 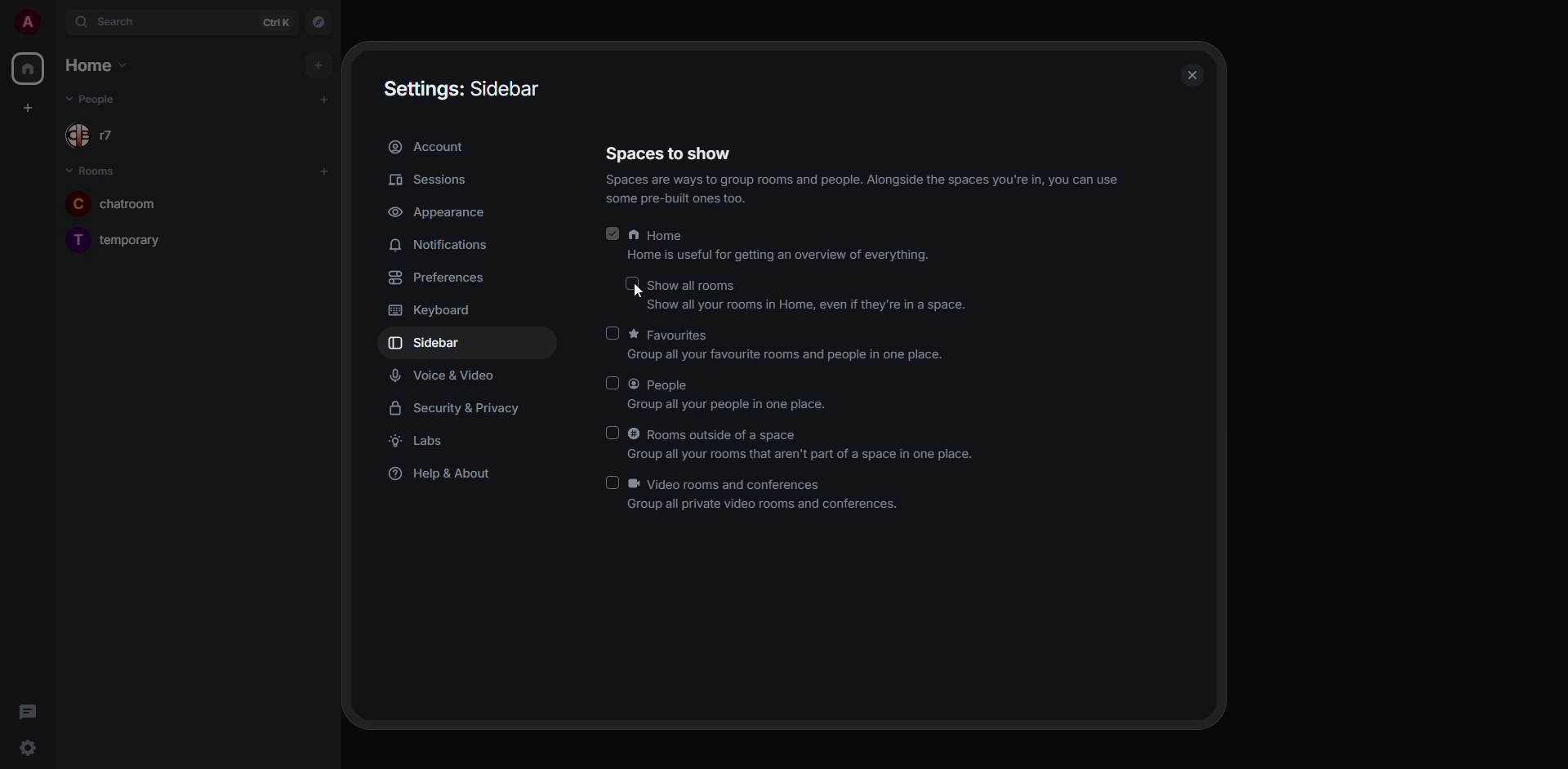 I want to click on click to enable, so click(x=612, y=433).